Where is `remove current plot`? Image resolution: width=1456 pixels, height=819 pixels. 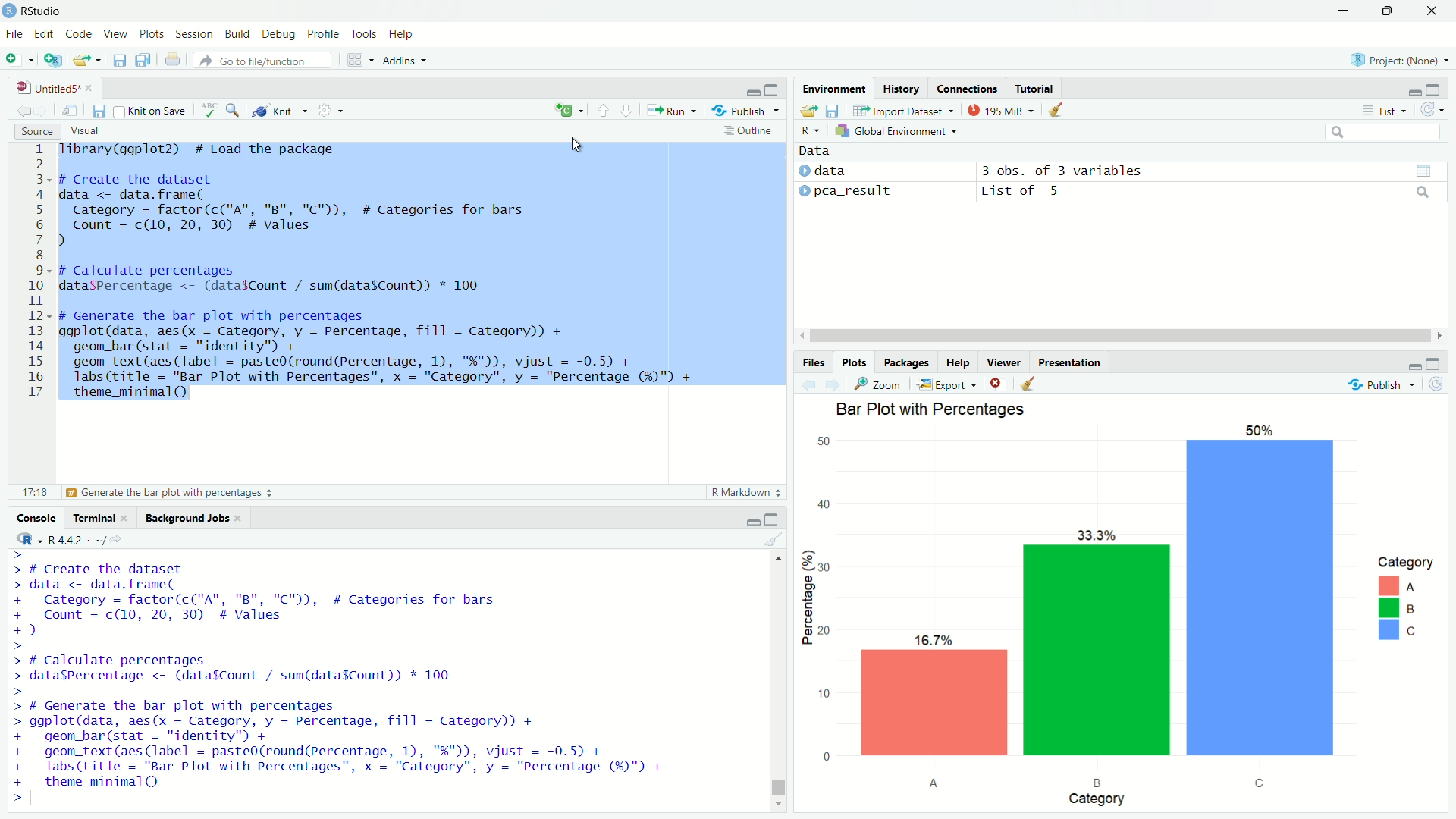 remove current plot is located at coordinates (995, 383).